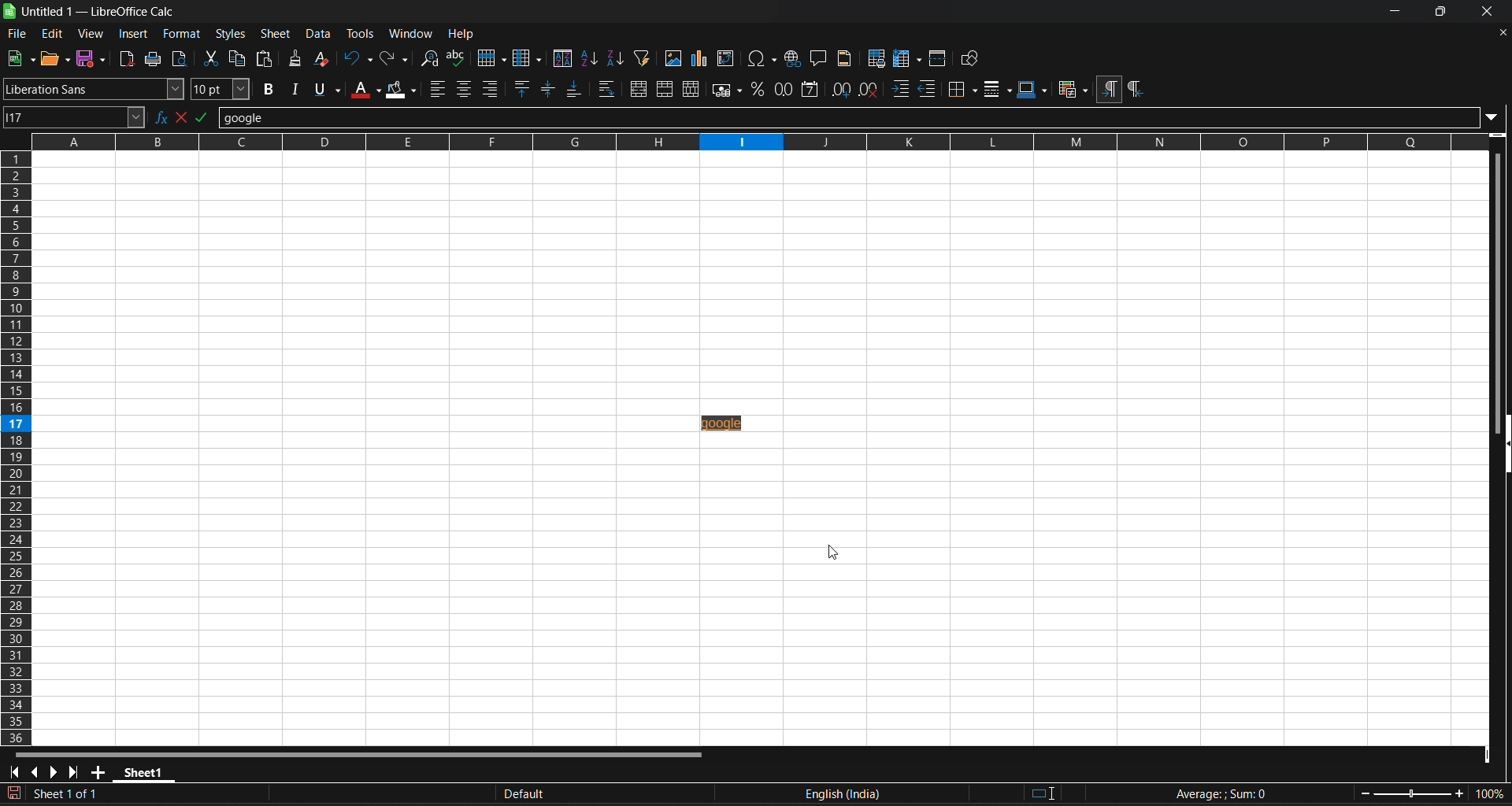 The image size is (1512, 806). What do you see at coordinates (222, 89) in the screenshot?
I see `font size` at bounding box center [222, 89].